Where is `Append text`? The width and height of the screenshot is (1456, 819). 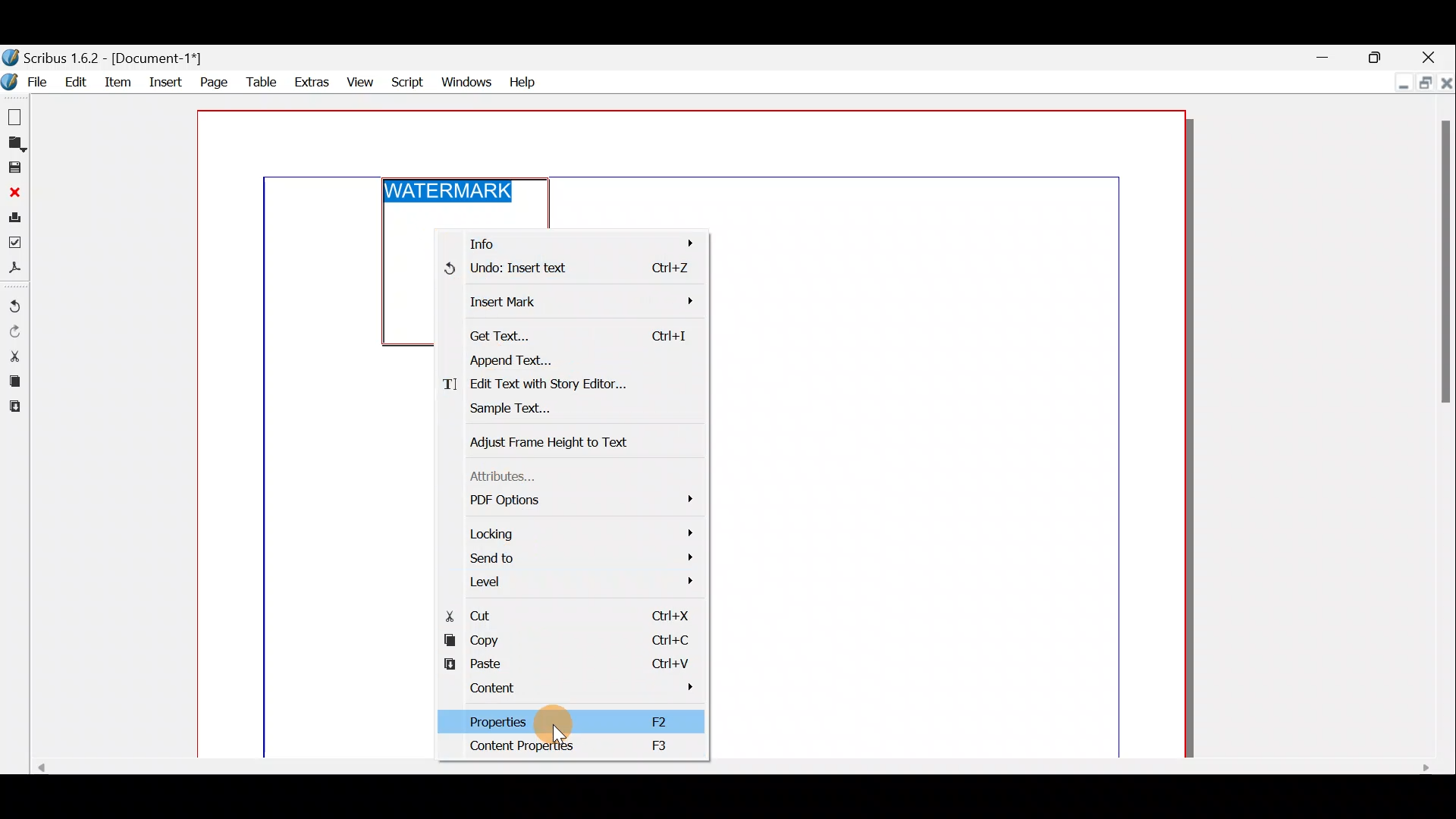
Append text is located at coordinates (566, 359).